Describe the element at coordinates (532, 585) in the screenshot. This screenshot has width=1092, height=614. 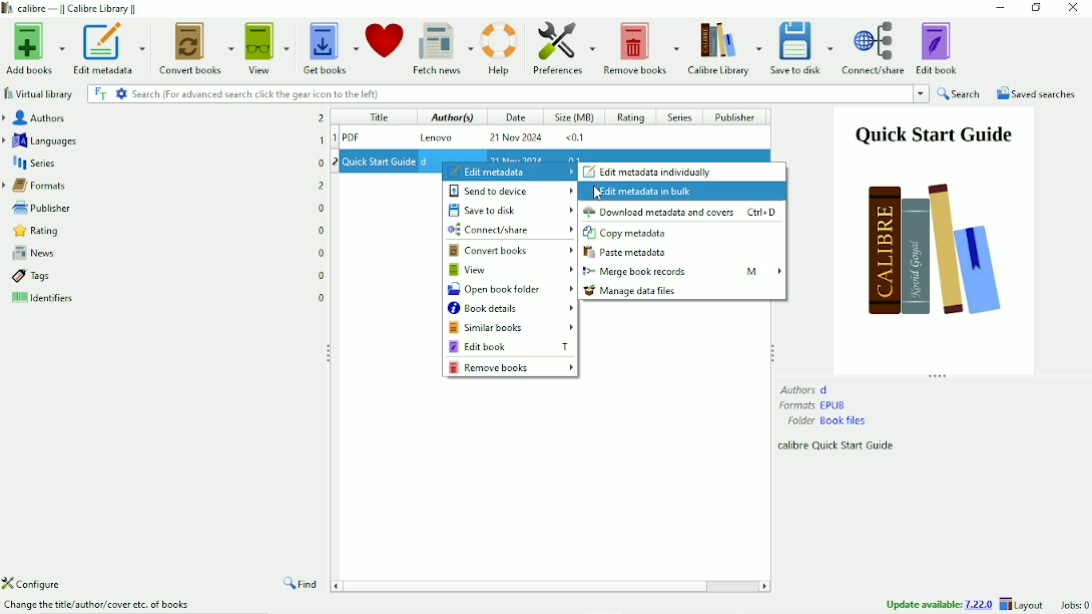
I see `Horizontal scrollbar` at that location.